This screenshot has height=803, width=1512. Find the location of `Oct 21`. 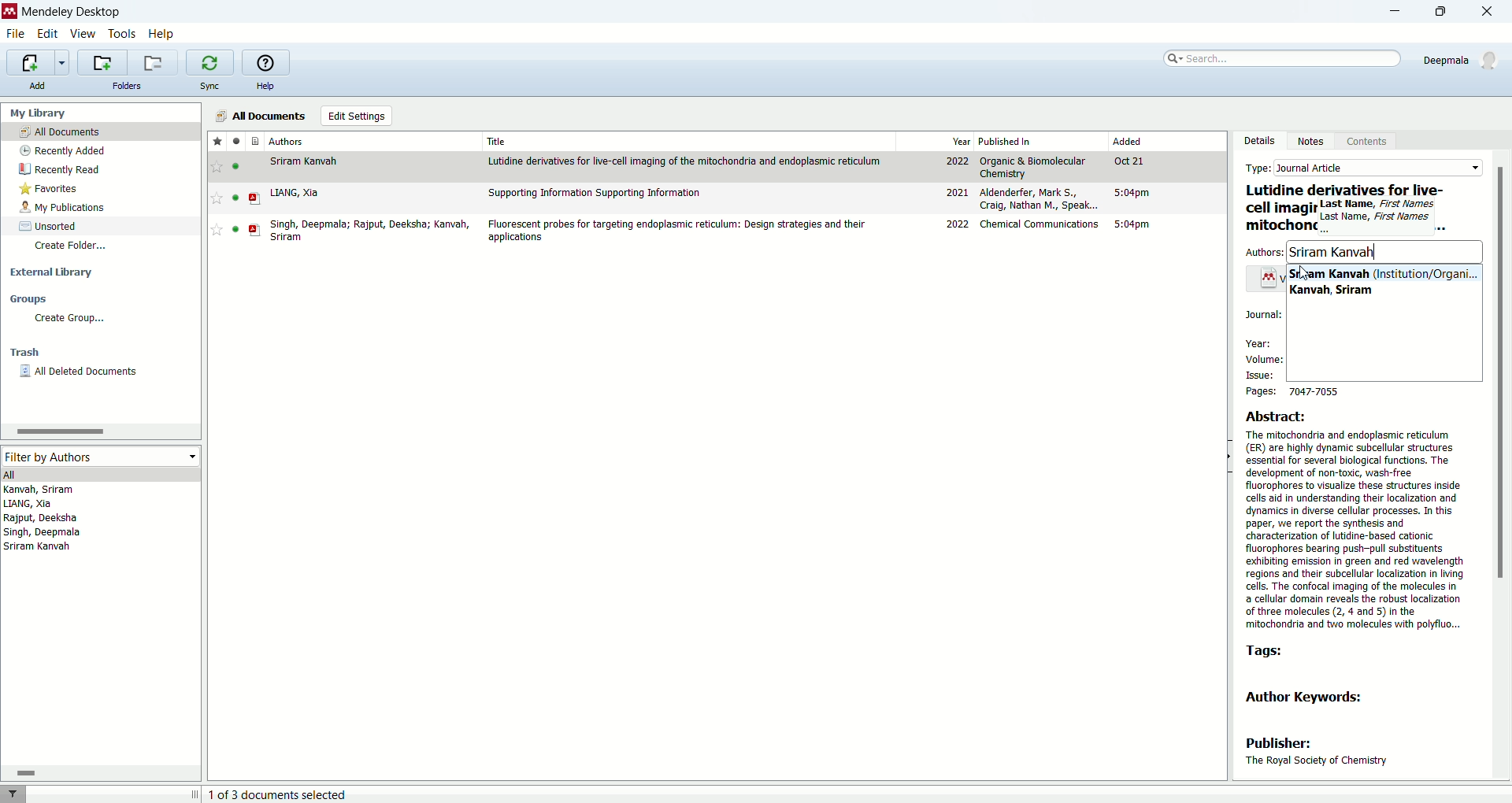

Oct 21 is located at coordinates (1133, 163).